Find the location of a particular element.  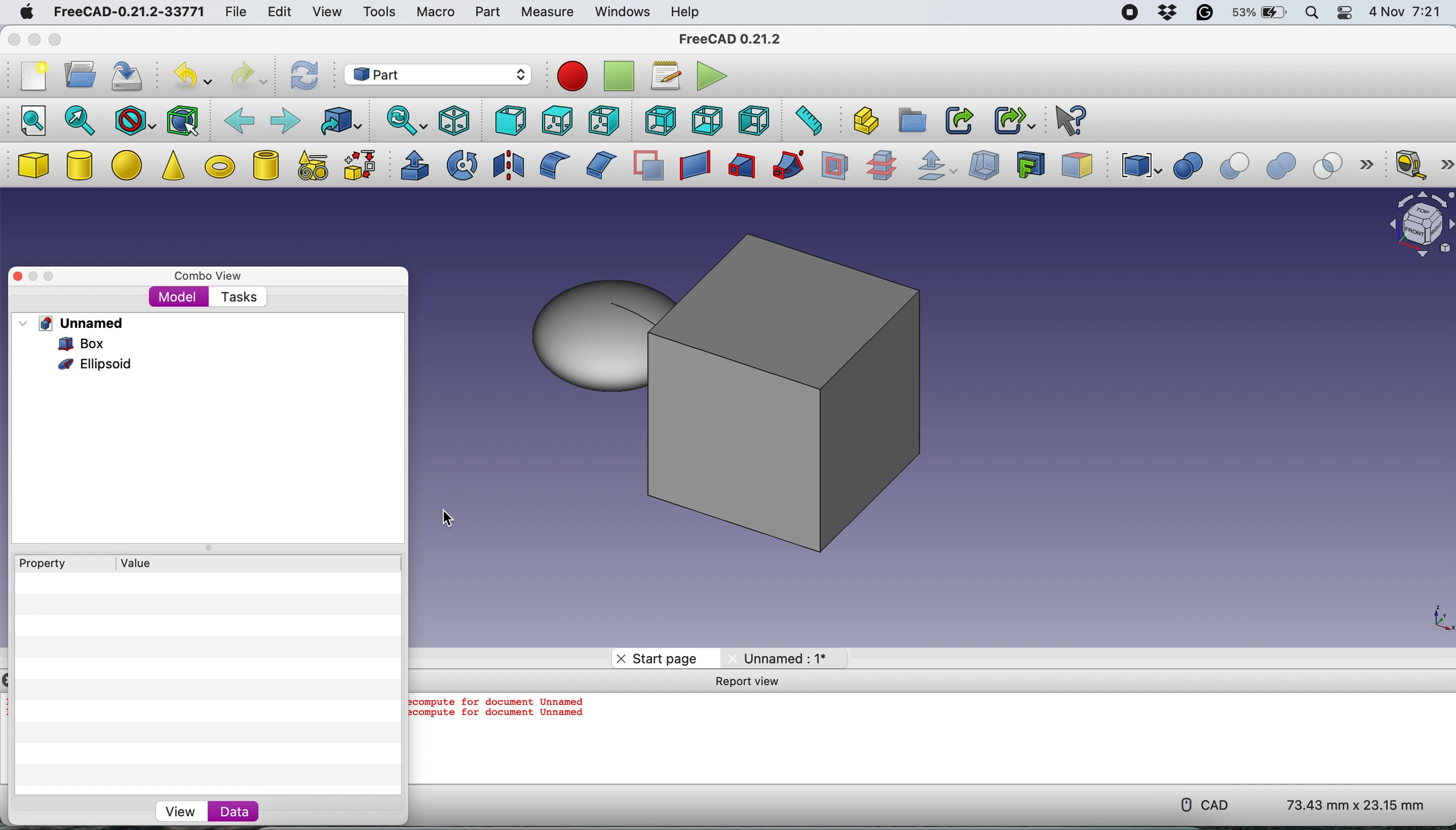

new is located at coordinates (31, 79).